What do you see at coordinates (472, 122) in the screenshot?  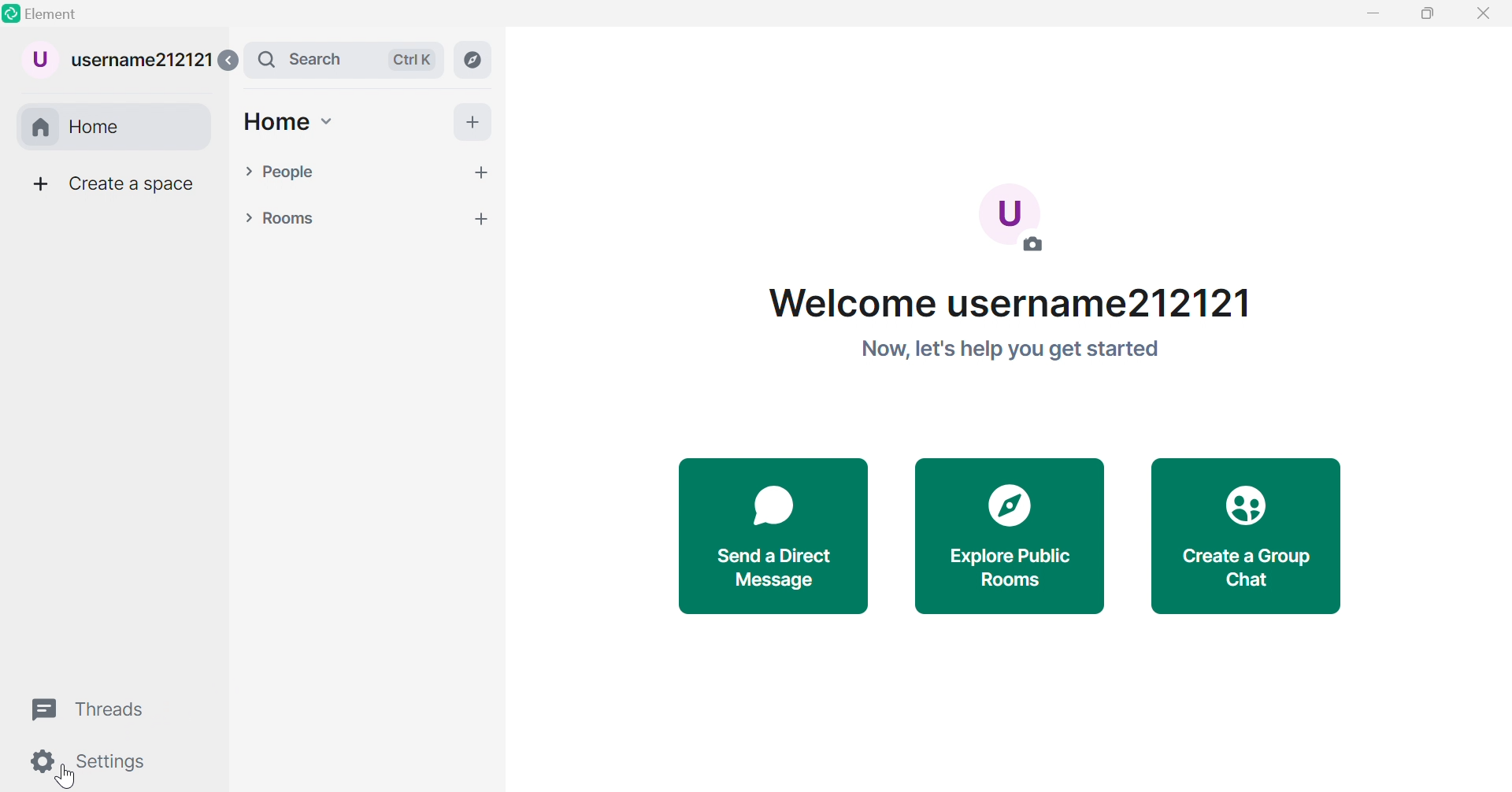 I see `More` at bounding box center [472, 122].